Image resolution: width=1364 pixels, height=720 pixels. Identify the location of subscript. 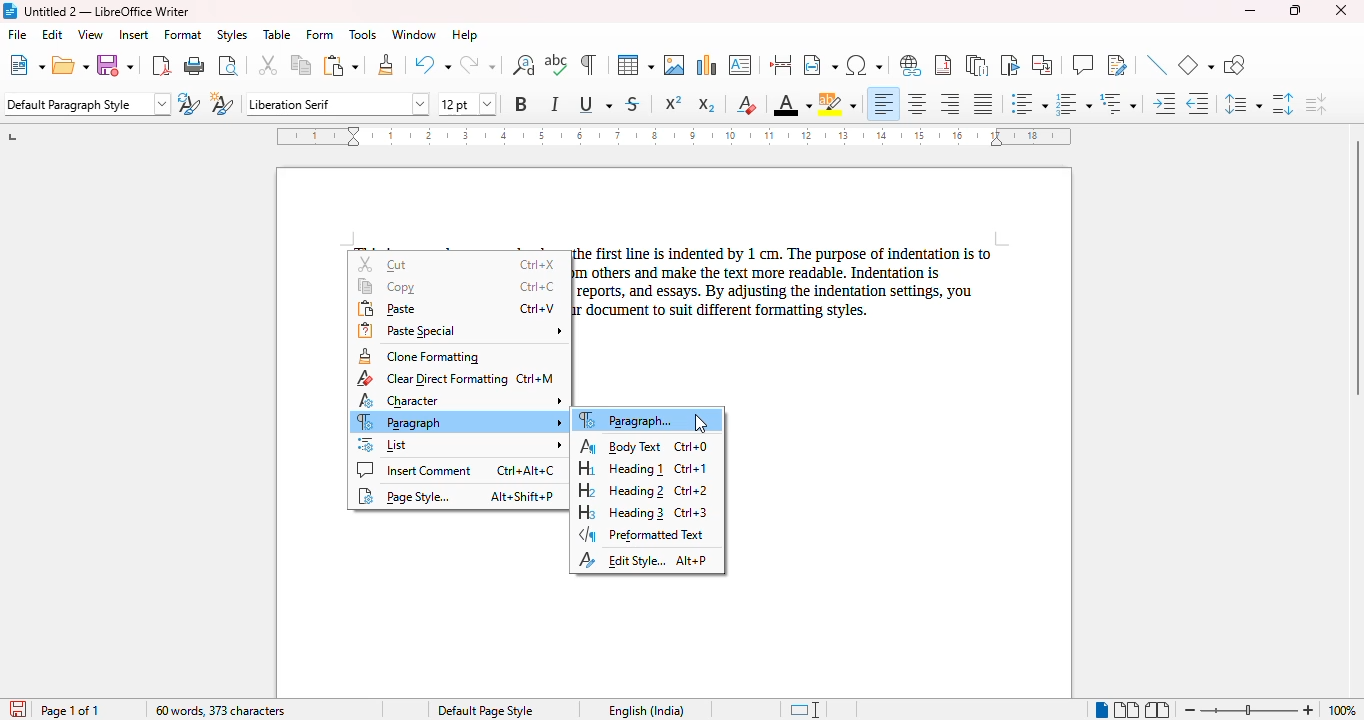
(707, 105).